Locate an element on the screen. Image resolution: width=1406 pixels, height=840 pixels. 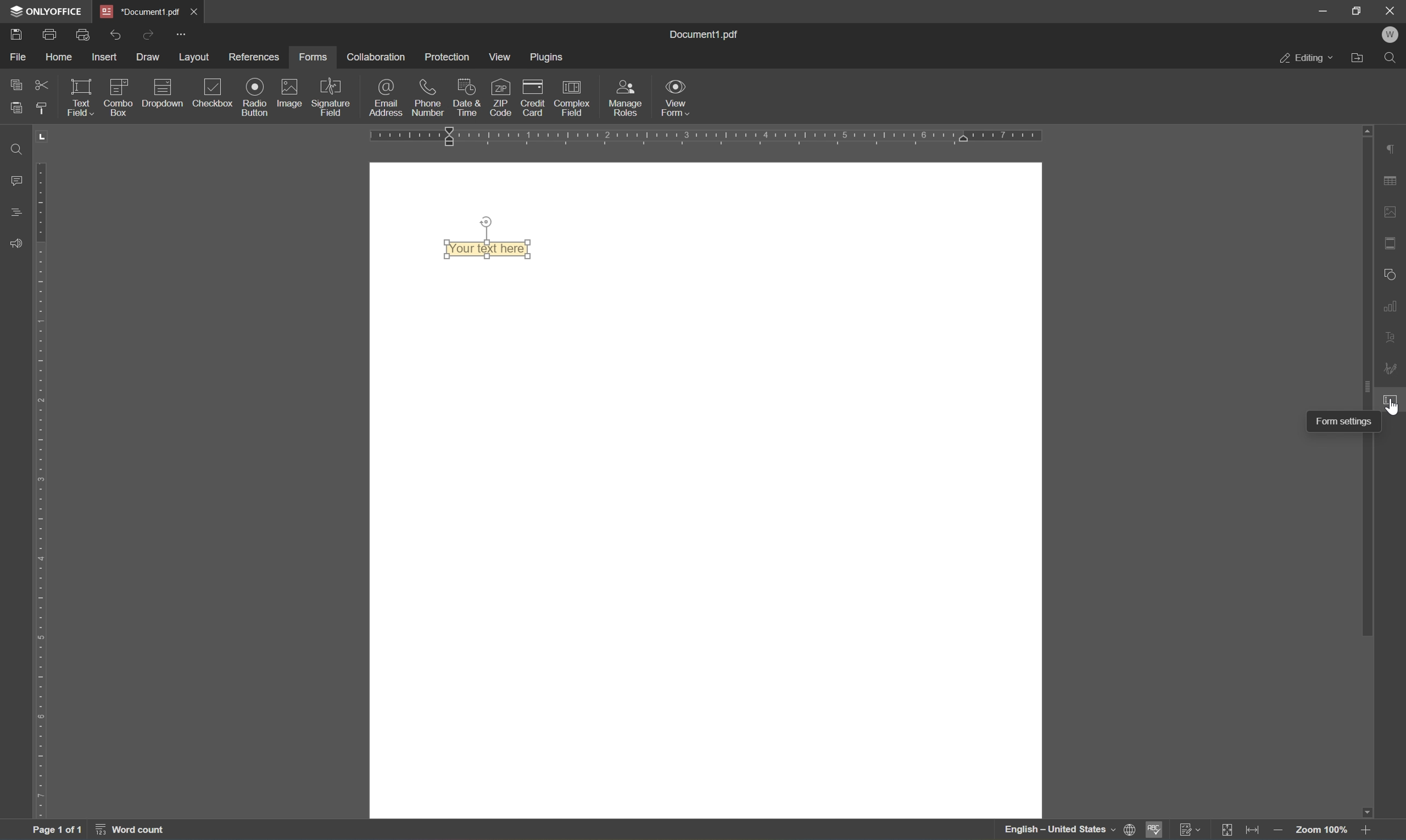
collaboration is located at coordinates (378, 58).